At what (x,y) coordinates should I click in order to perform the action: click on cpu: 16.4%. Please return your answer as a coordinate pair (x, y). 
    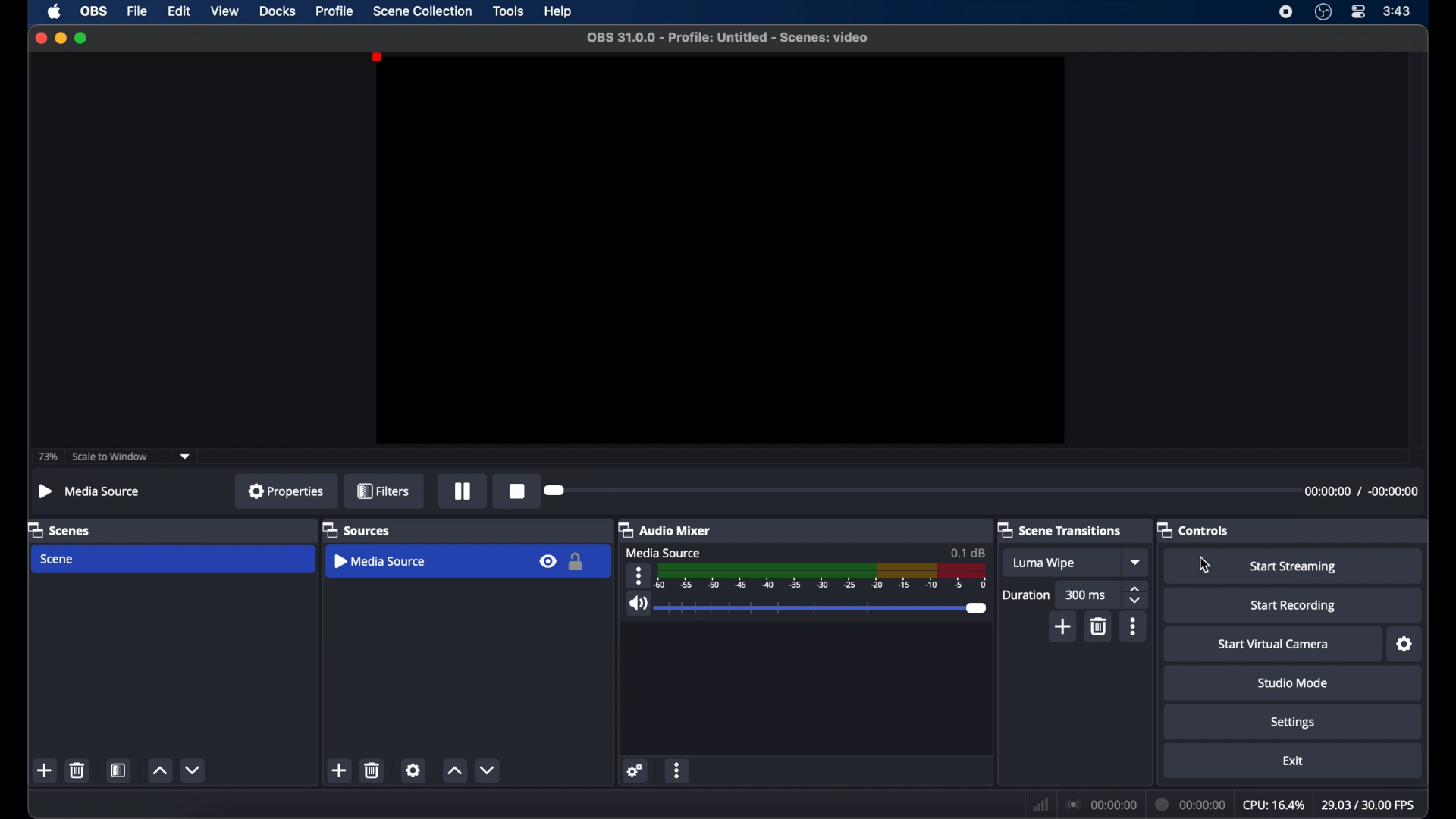
    Looking at the image, I should click on (1272, 805).